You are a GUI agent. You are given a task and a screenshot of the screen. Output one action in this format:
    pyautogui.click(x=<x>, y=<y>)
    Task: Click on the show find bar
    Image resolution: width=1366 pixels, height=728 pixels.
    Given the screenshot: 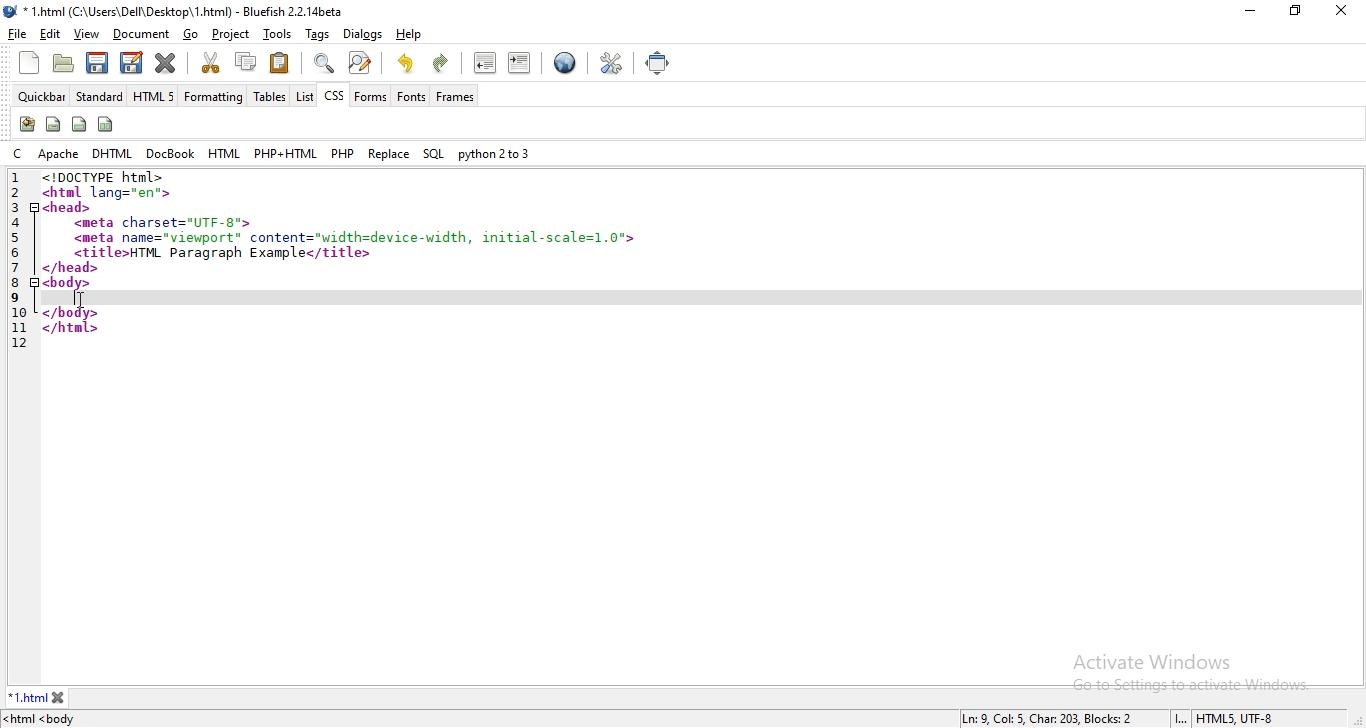 What is the action you would take?
    pyautogui.click(x=322, y=63)
    